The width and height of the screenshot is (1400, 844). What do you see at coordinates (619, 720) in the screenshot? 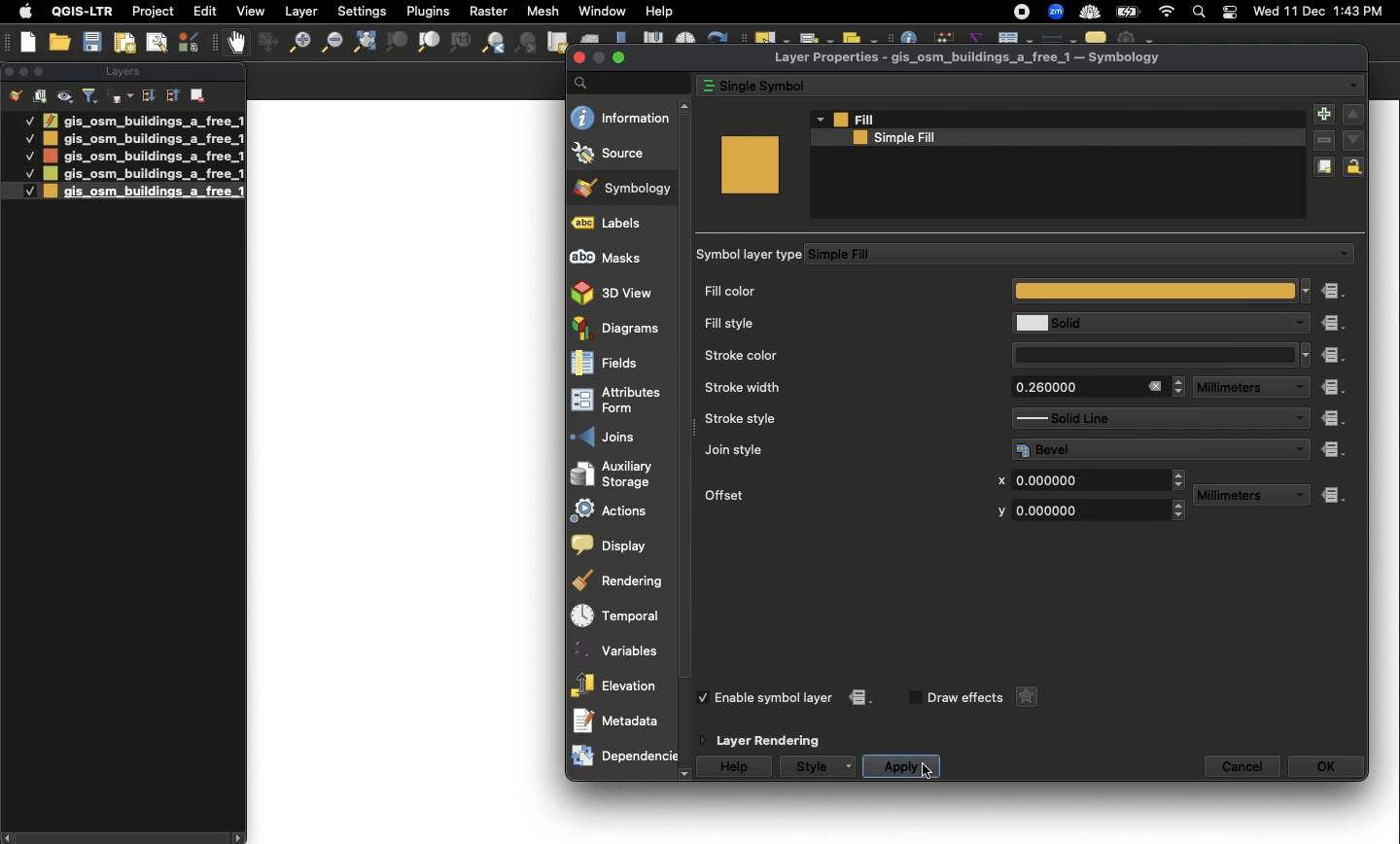
I see `Metadata` at bounding box center [619, 720].